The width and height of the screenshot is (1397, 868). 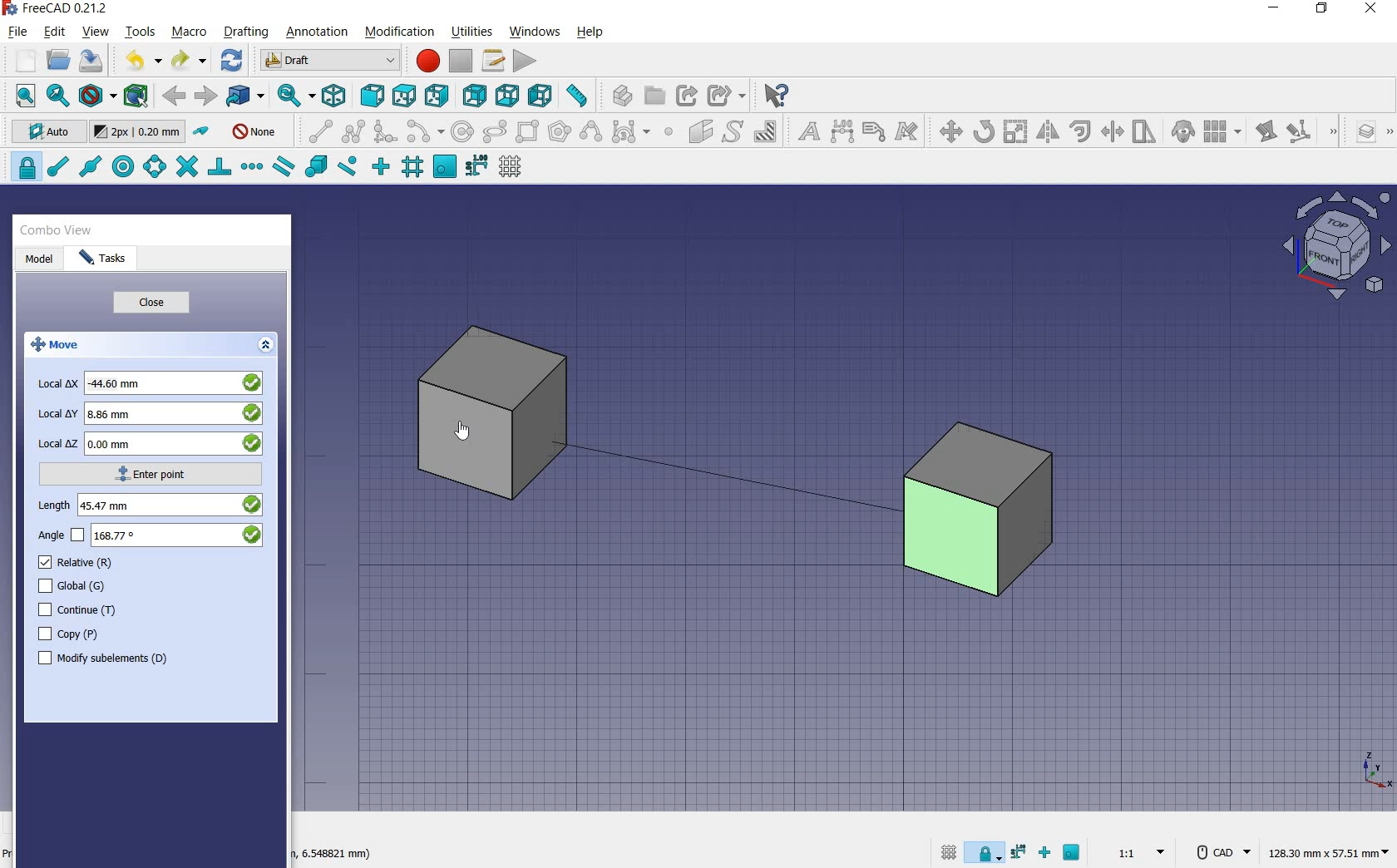 I want to click on scale, so click(x=1016, y=131).